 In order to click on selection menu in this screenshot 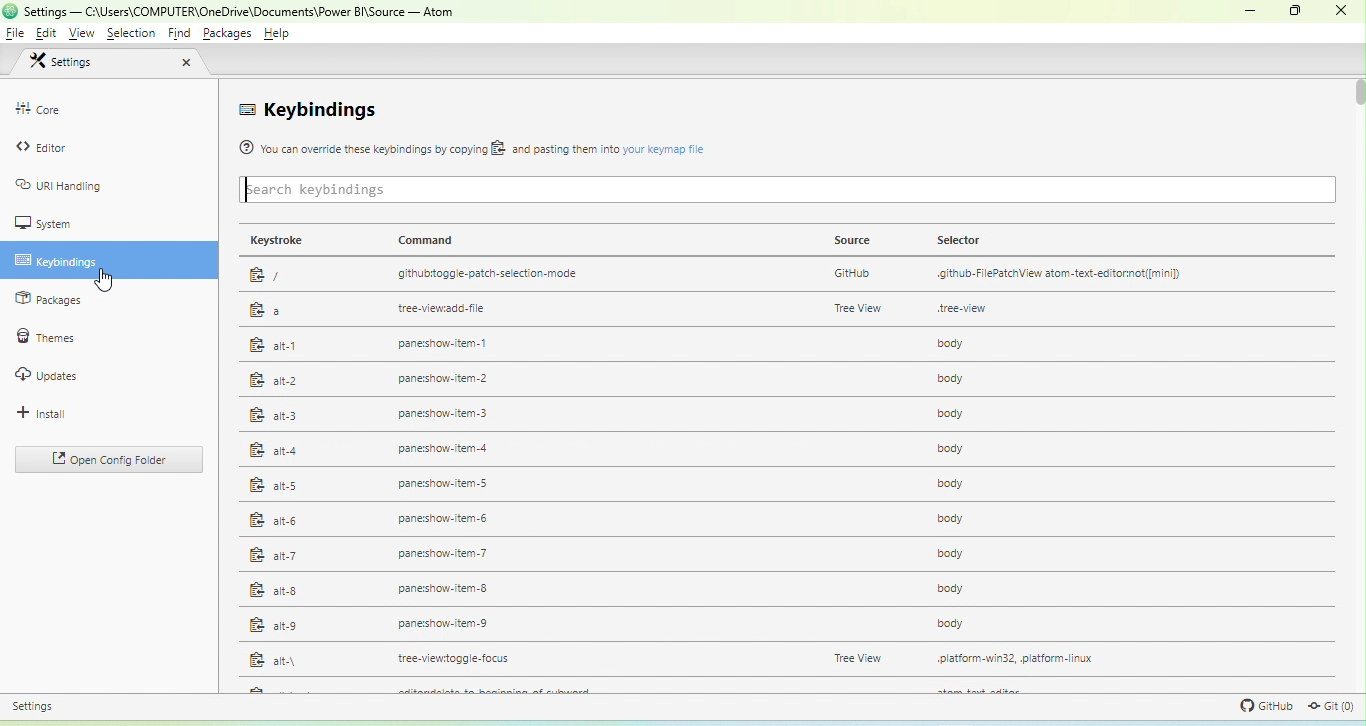, I will do `click(132, 33)`.